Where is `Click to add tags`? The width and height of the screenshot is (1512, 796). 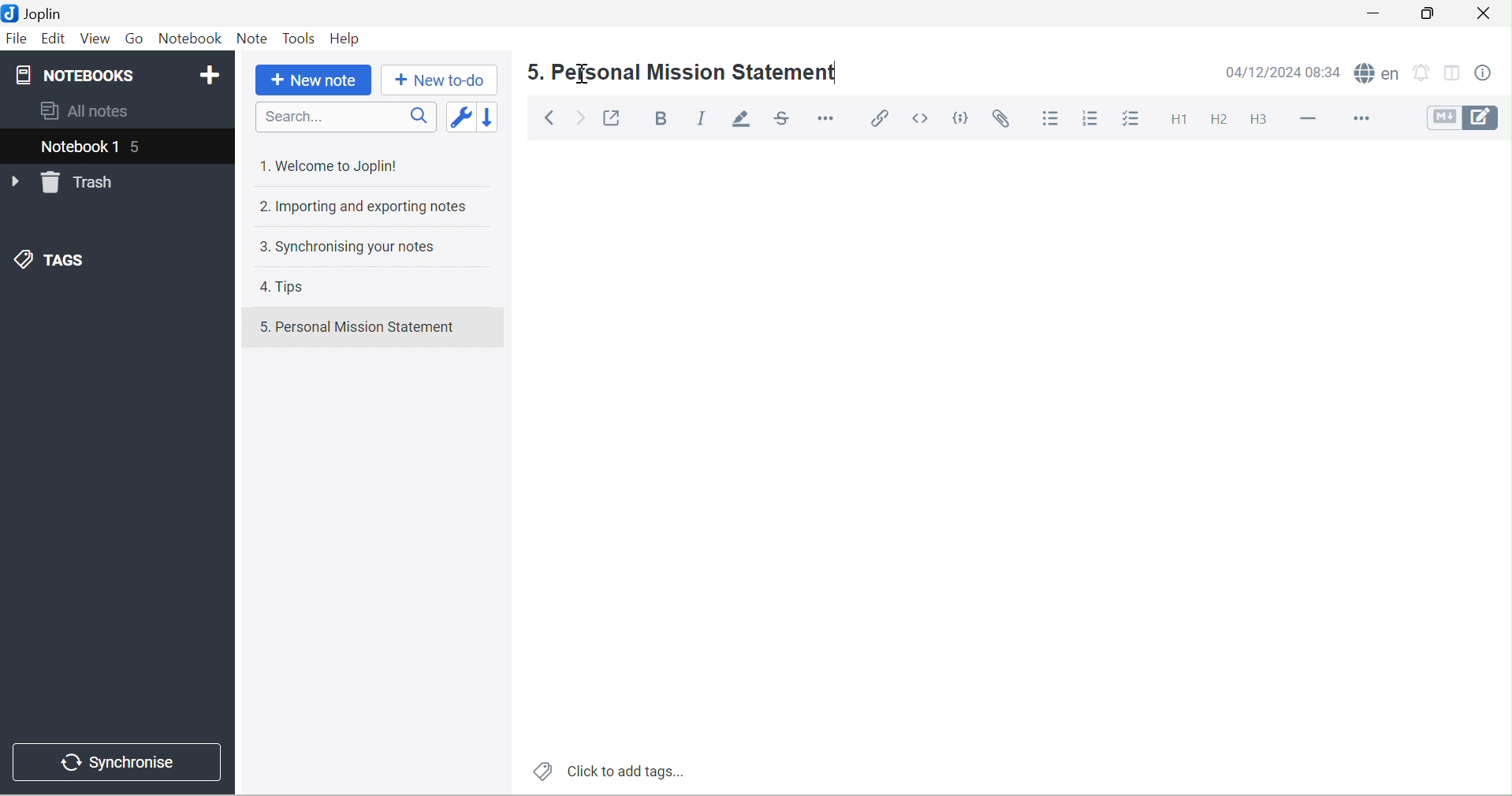 Click to add tags is located at coordinates (608, 772).